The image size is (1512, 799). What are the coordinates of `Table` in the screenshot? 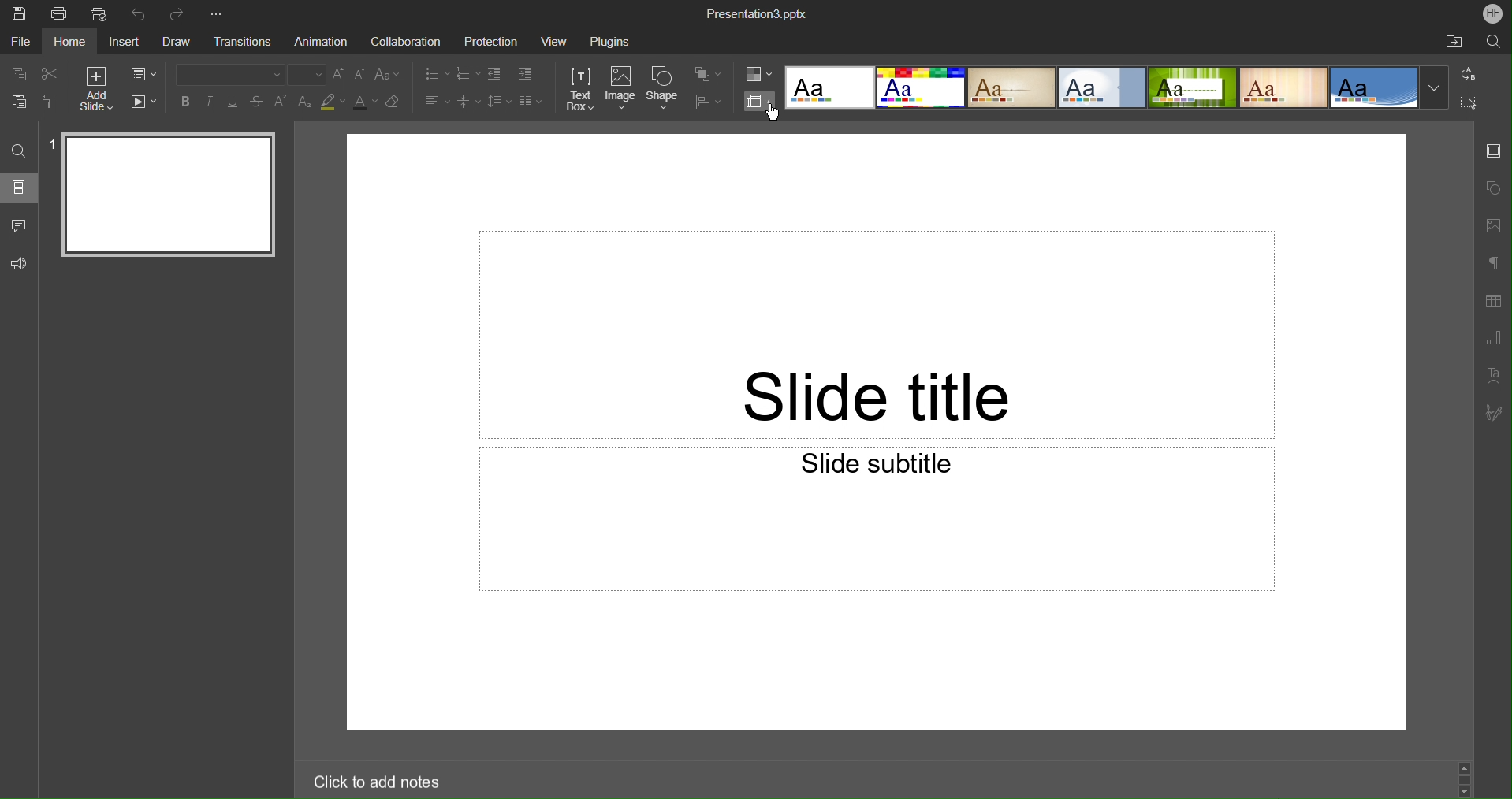 It's located at (1493, 301).